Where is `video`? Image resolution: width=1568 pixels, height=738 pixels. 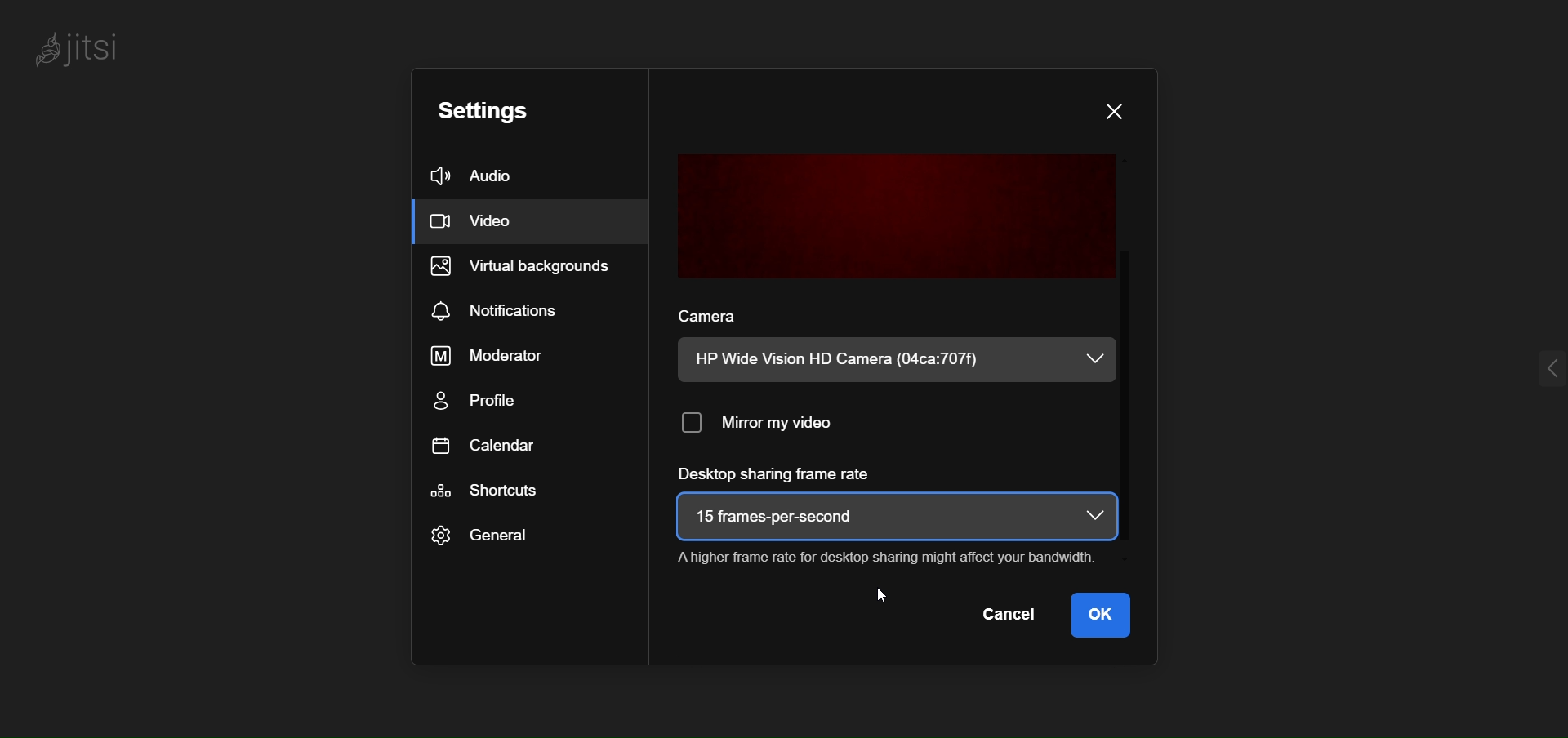 video is located at coordinates (490, 224).